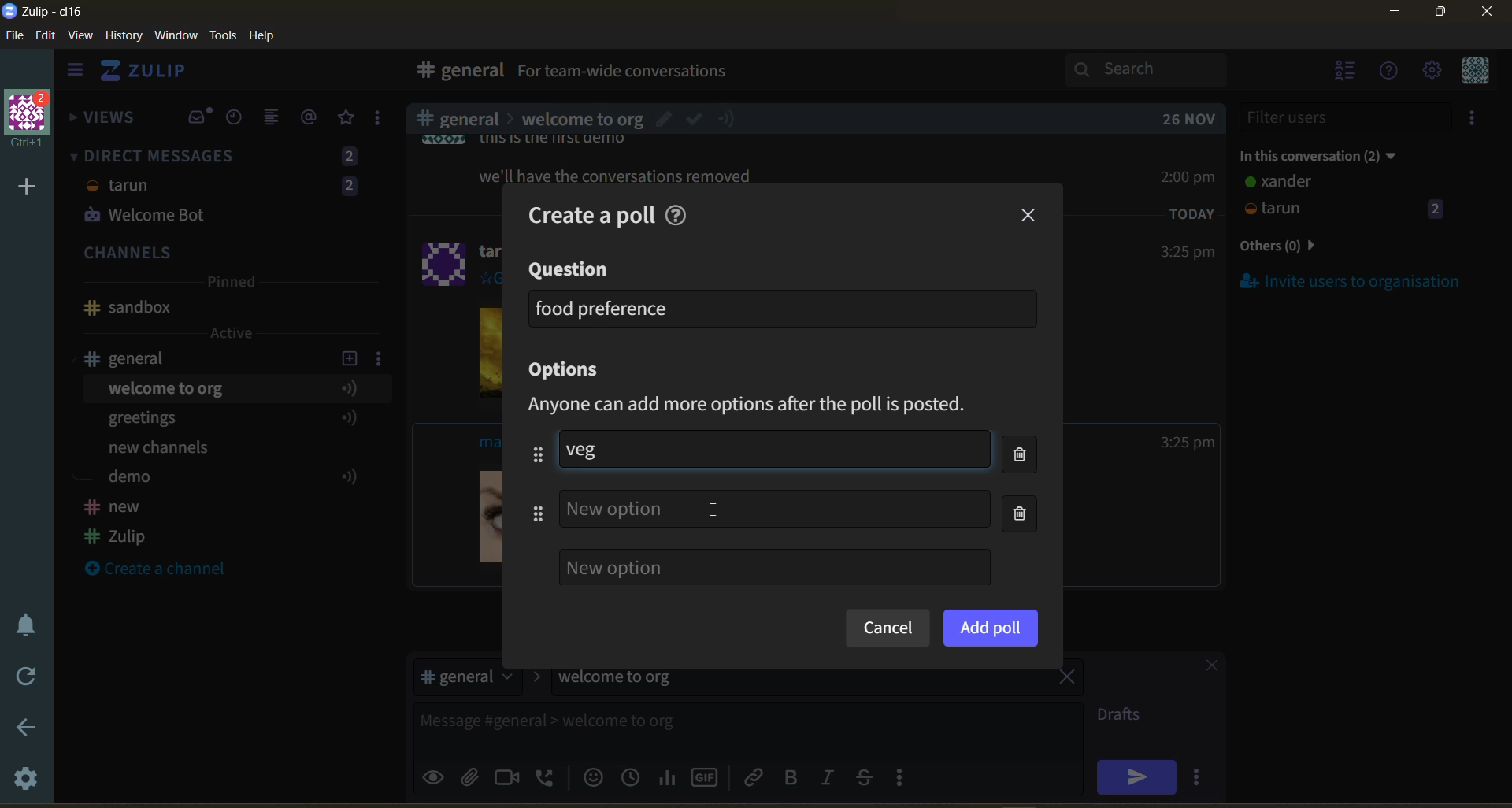 This screenshot has width=1512, height=808. Describe the element at coordinates (1303, 247) in the screenshot. I see `others` at that location.